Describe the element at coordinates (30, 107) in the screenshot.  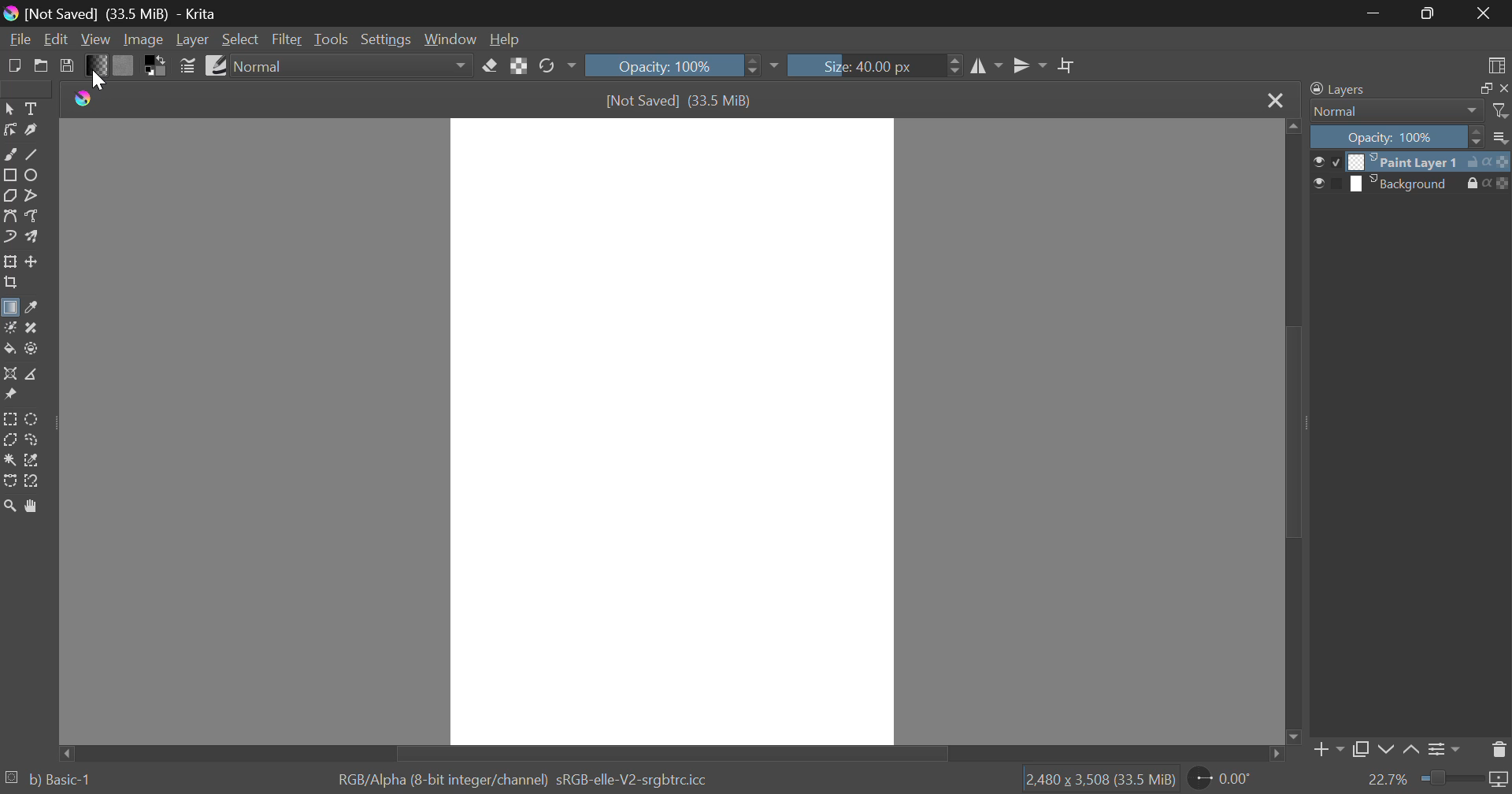
I see `Text` at that location.